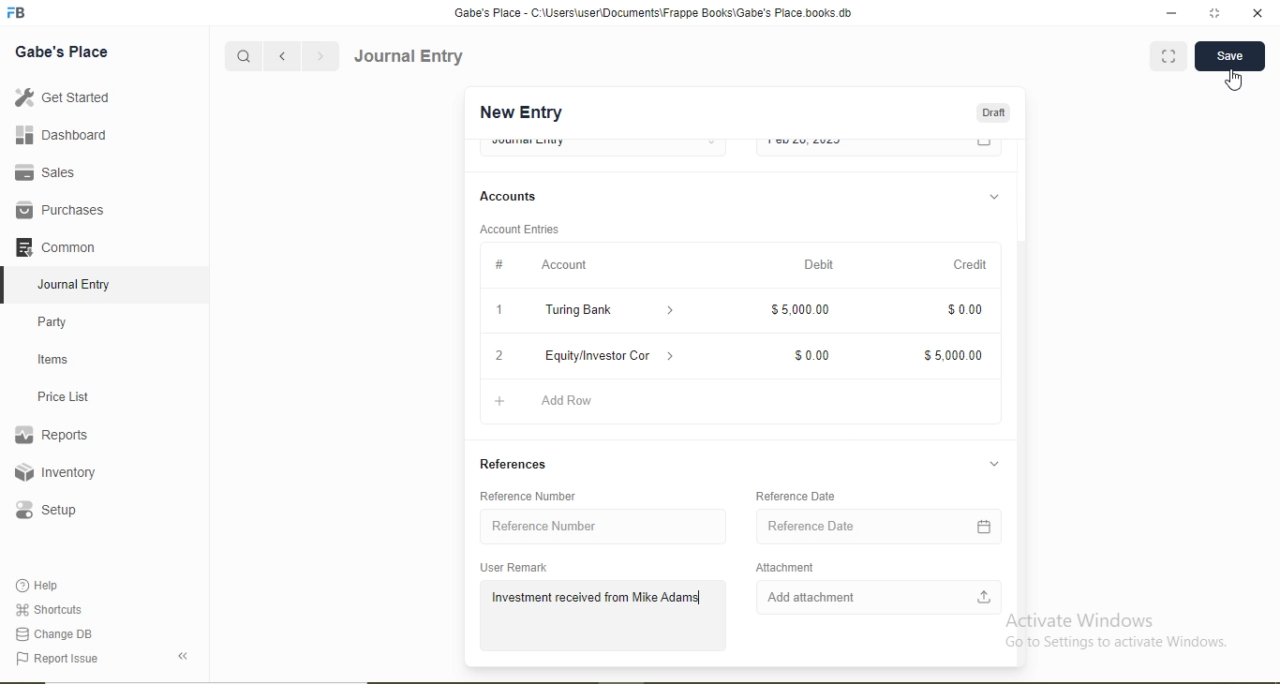  I want to click on Forward, so click(321, 56).